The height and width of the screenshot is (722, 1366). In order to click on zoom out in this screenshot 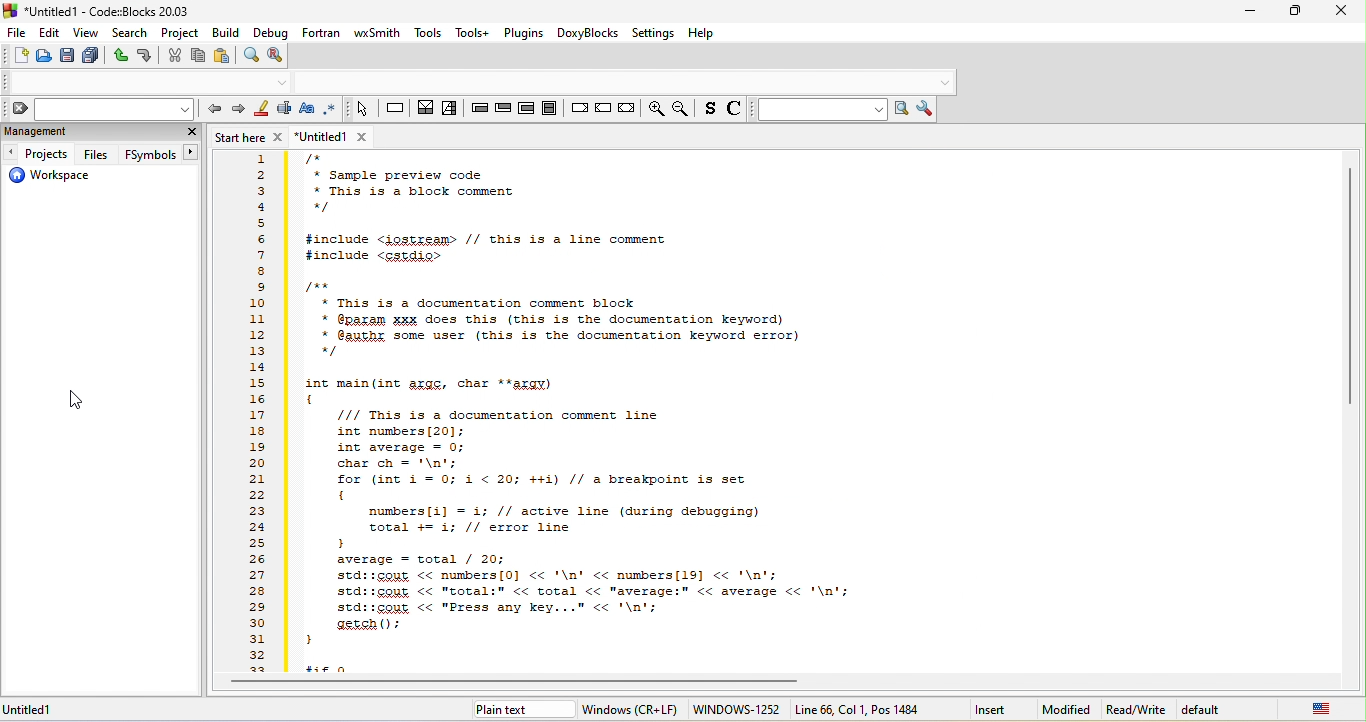, I will do `click(683, 109)`.